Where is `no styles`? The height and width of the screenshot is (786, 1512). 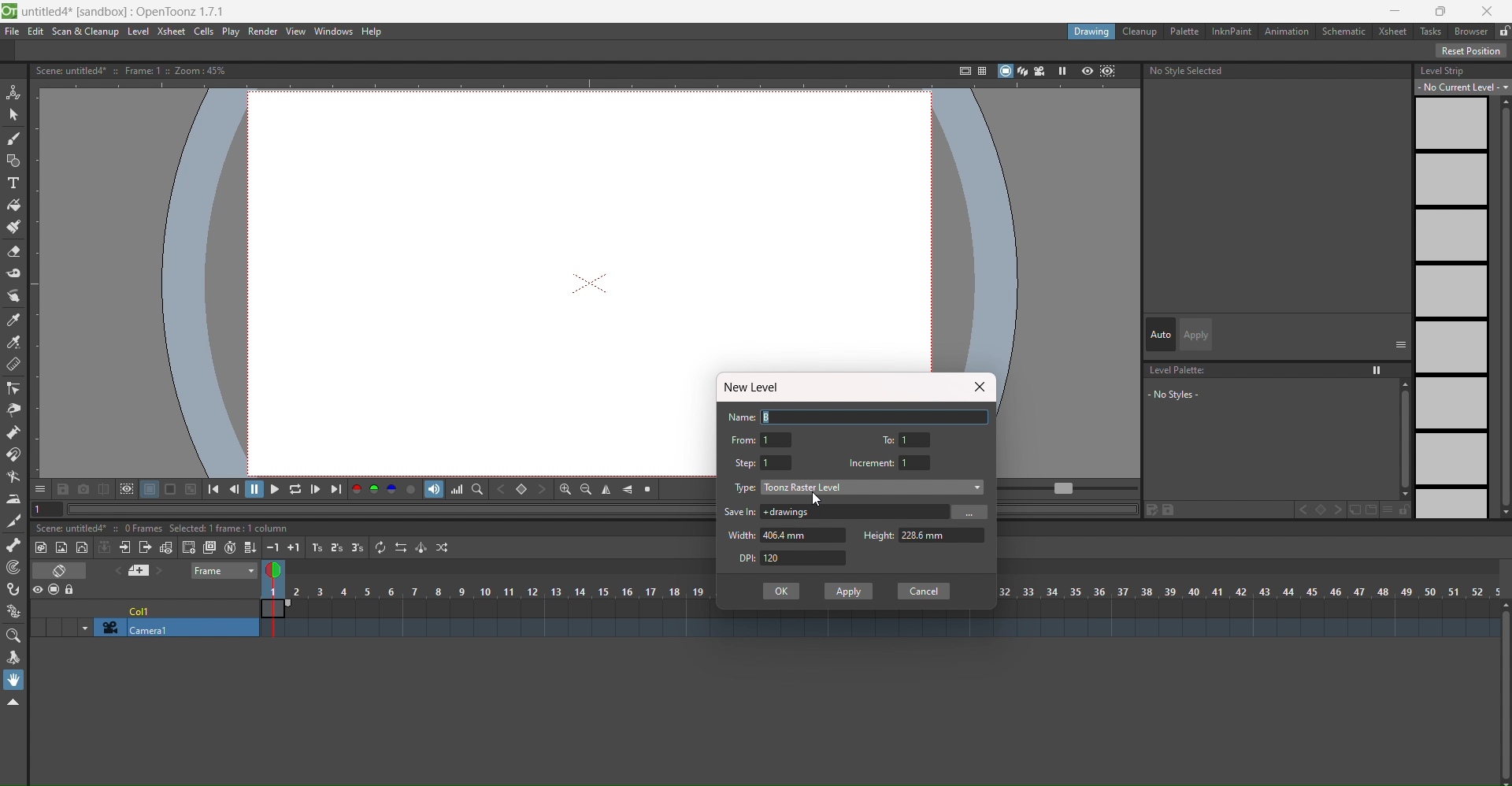 no styles is located at coordinates (1191, 394).